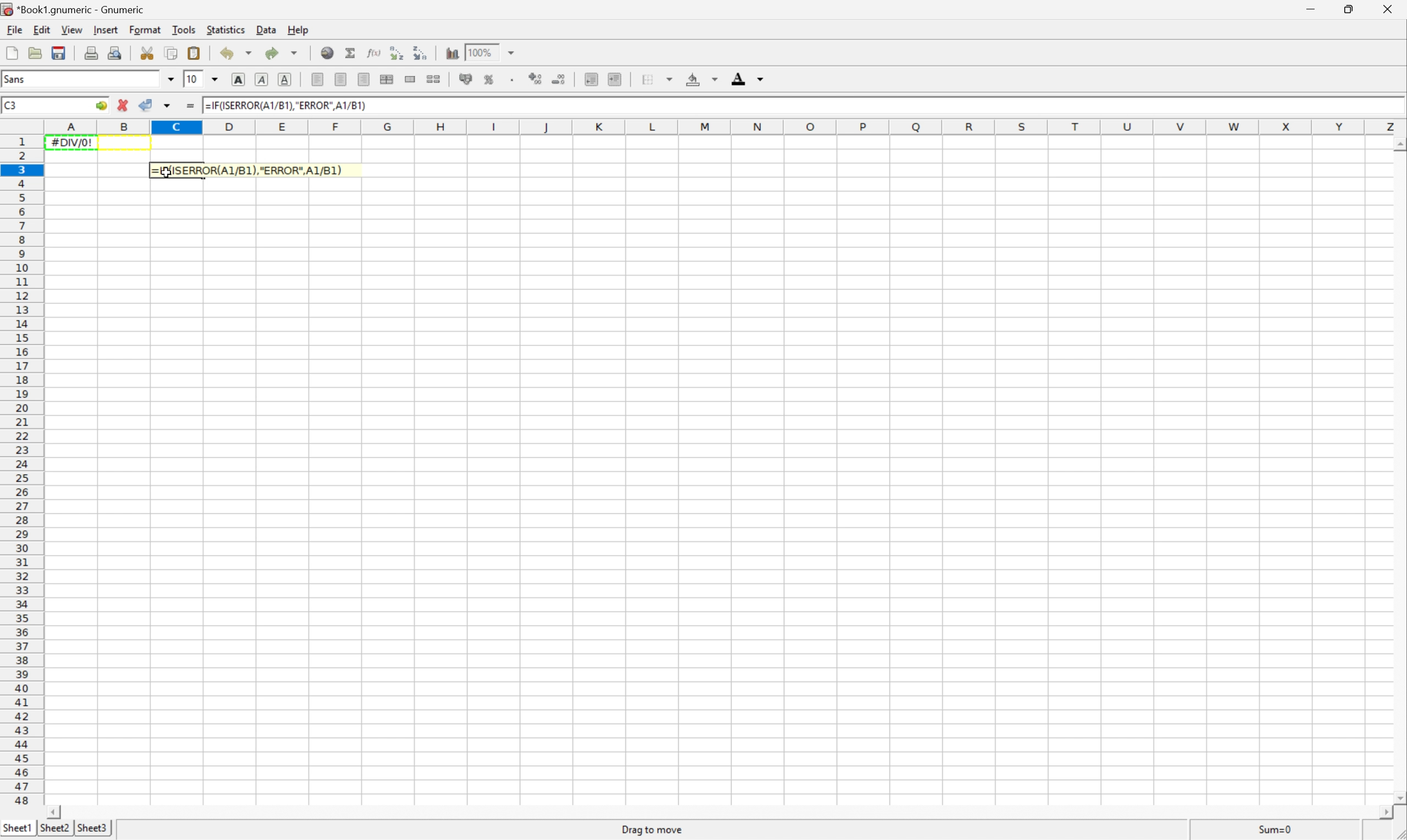 This screenshot has height=840, width=1407. Describe the element at coordinates (739, 79) in the screenshot. I see `Foreground` at that location.